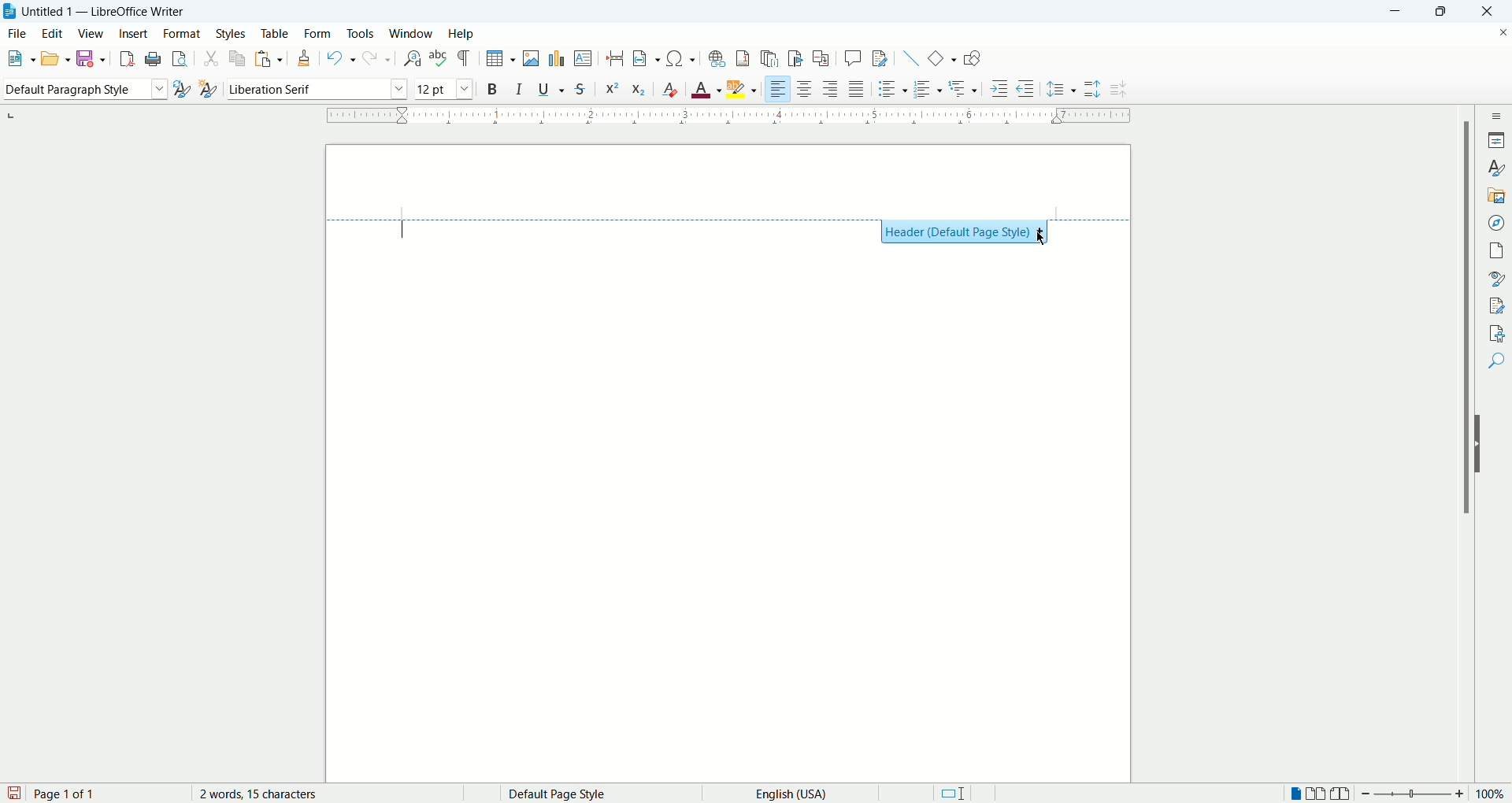 Image resolution: width=1512 pixels, height=803 pixels. What do you see at coordinates (92, 34) in the screenshot?
I see `view` at bounding box center [92, 34].